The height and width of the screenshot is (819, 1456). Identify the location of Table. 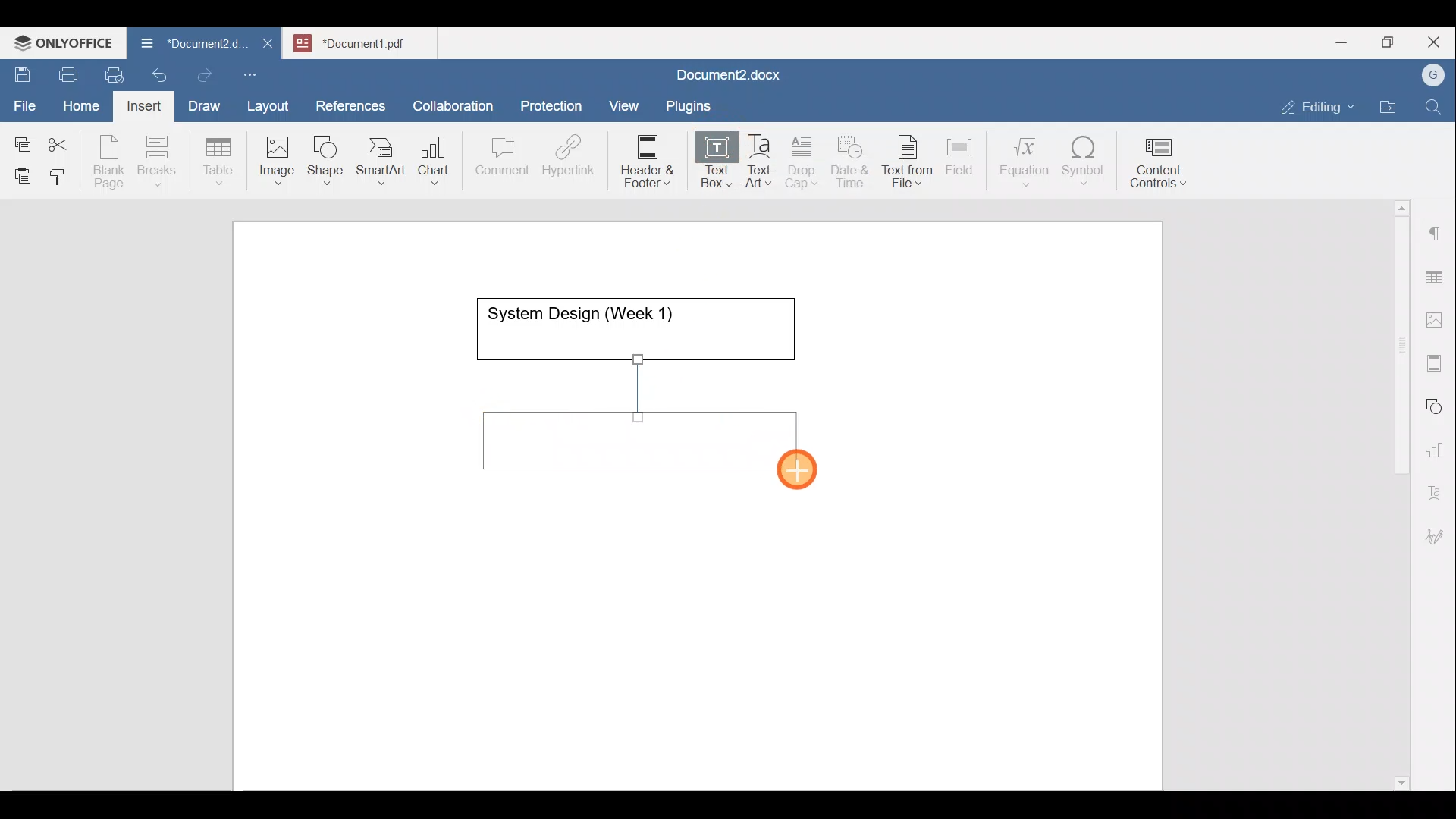
(219, 158).